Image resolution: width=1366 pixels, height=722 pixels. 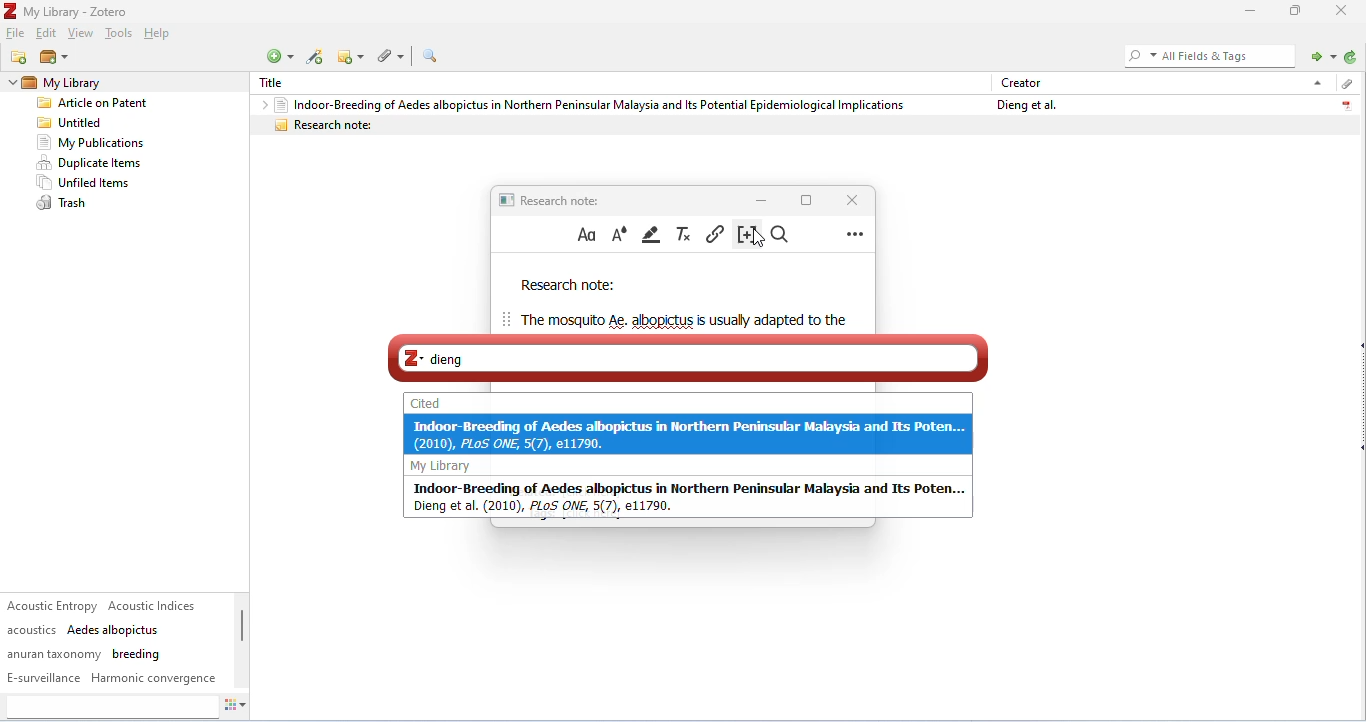 I want to click on highlight, so click(x=653, y=234).